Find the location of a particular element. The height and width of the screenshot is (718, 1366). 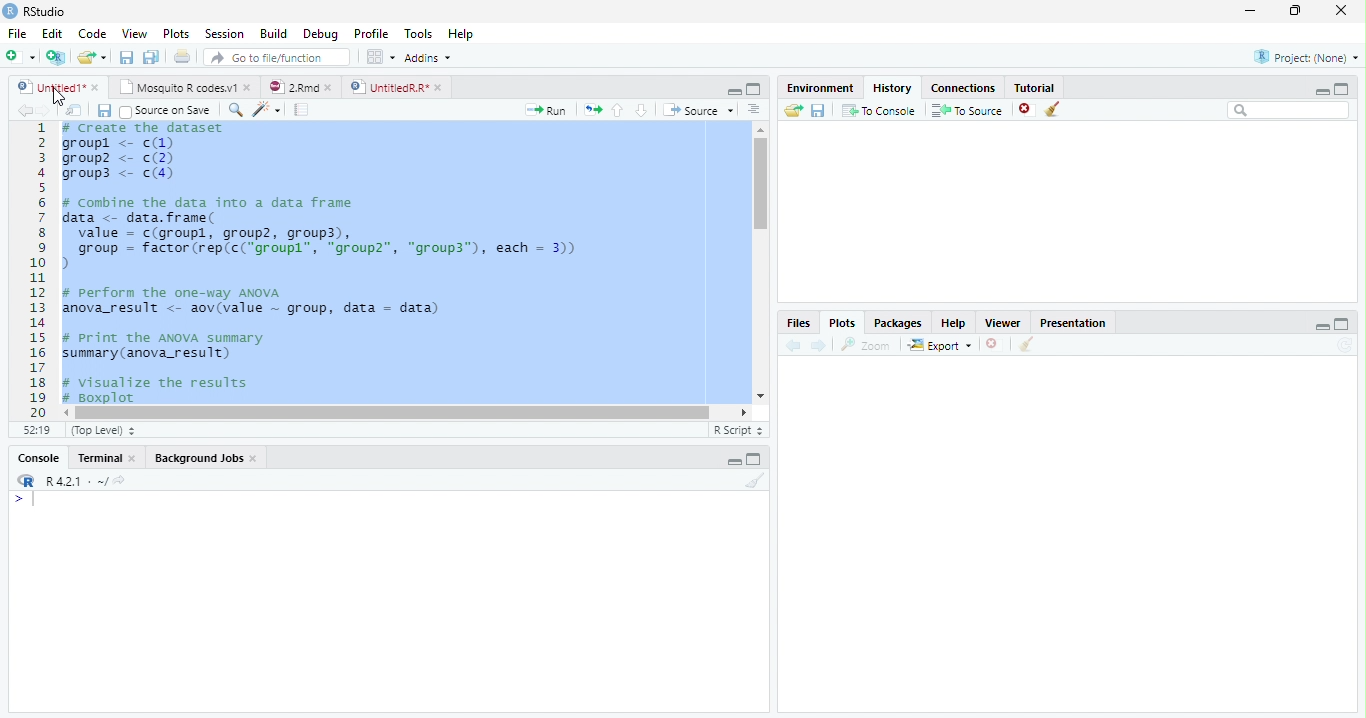

Magic code is located at coordinates (267, 111).